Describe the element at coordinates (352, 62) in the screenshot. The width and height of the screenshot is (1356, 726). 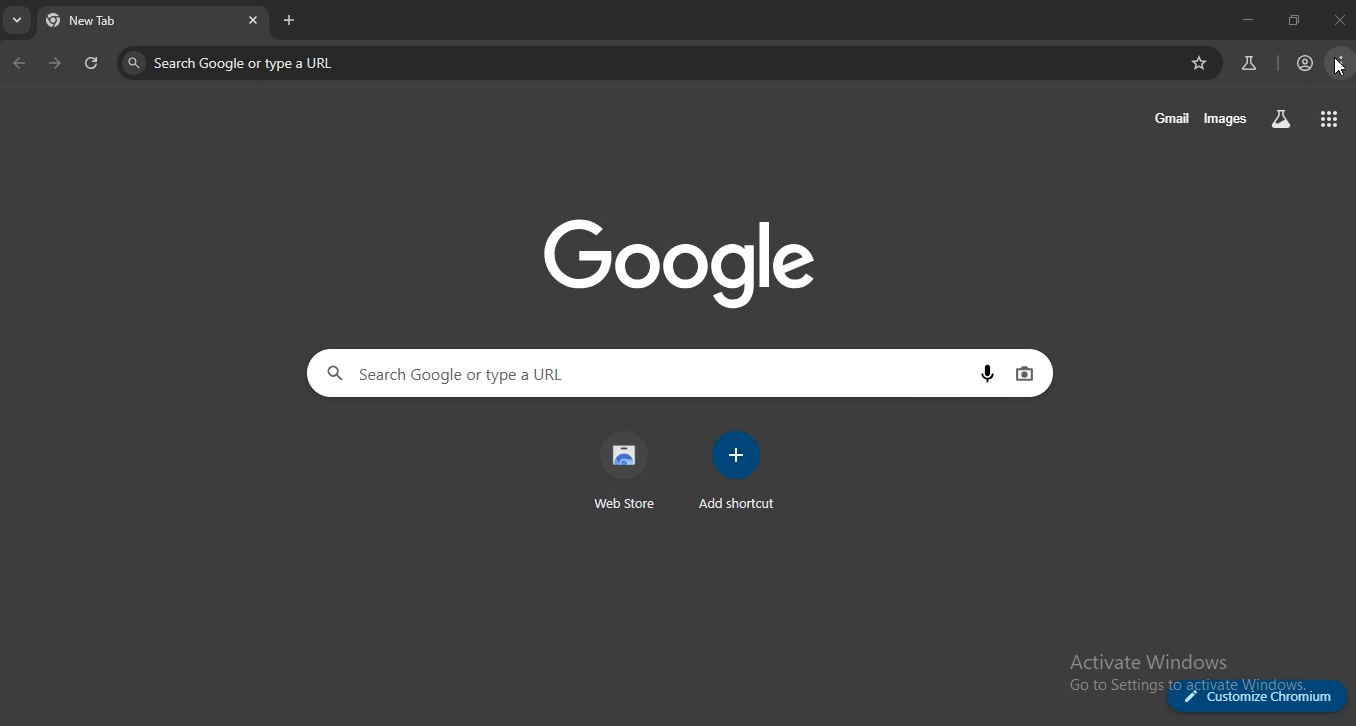
I see `search google or type a url` at that location.